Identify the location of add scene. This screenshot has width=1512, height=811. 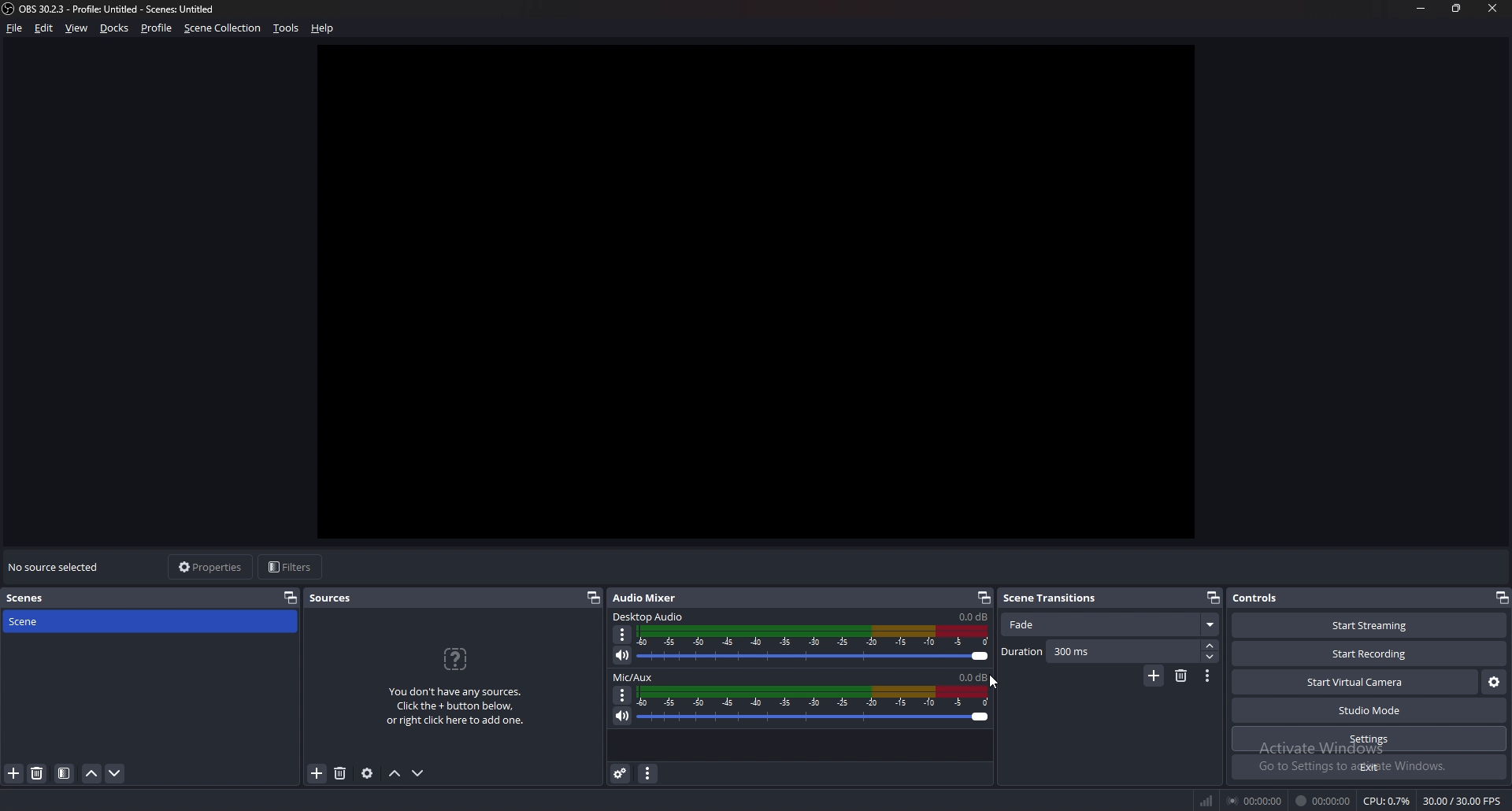
(13, 774).